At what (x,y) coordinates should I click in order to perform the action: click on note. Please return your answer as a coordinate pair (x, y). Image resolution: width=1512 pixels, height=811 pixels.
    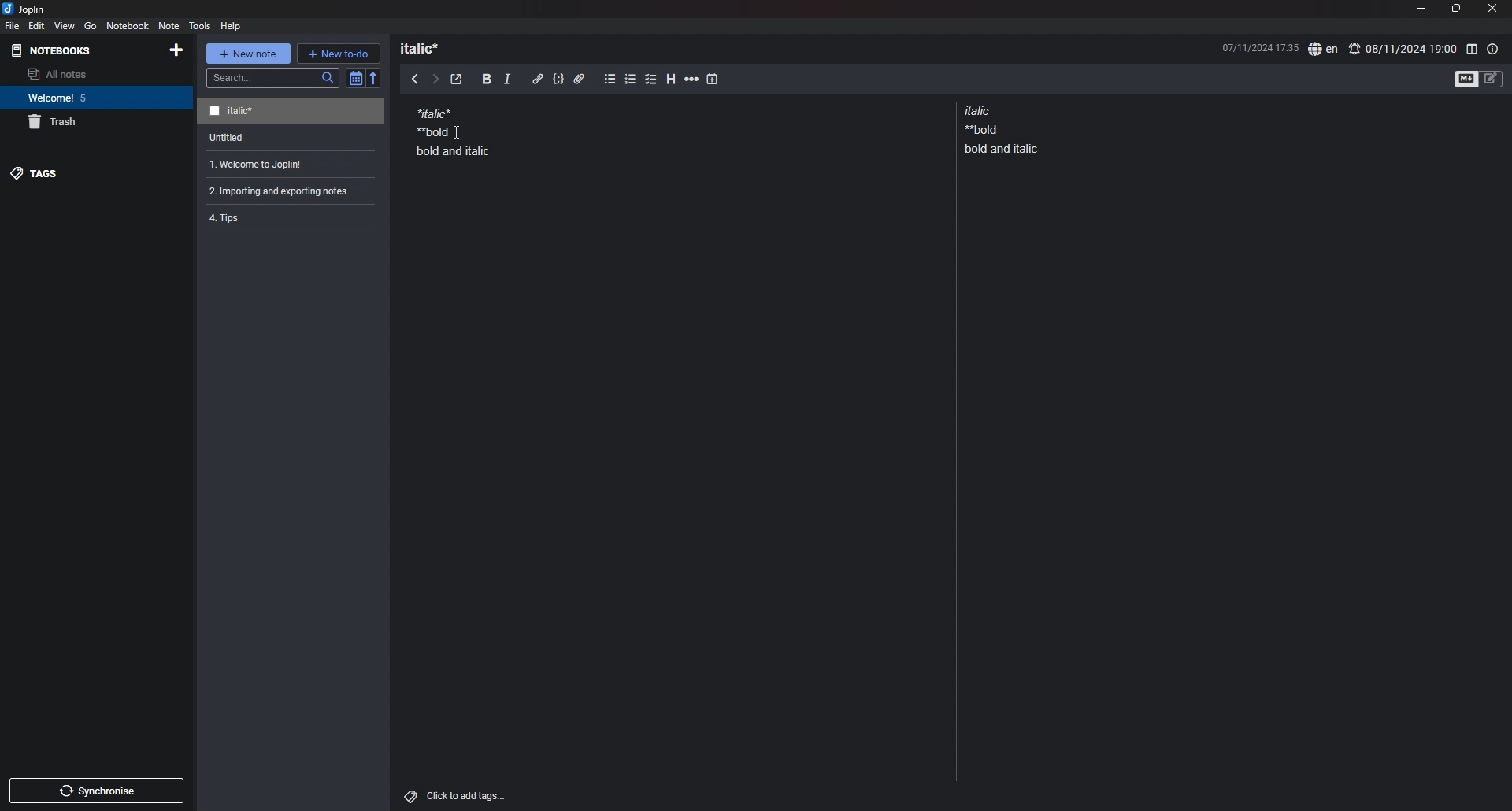
    Looking at the image, I should click on (291, 112).